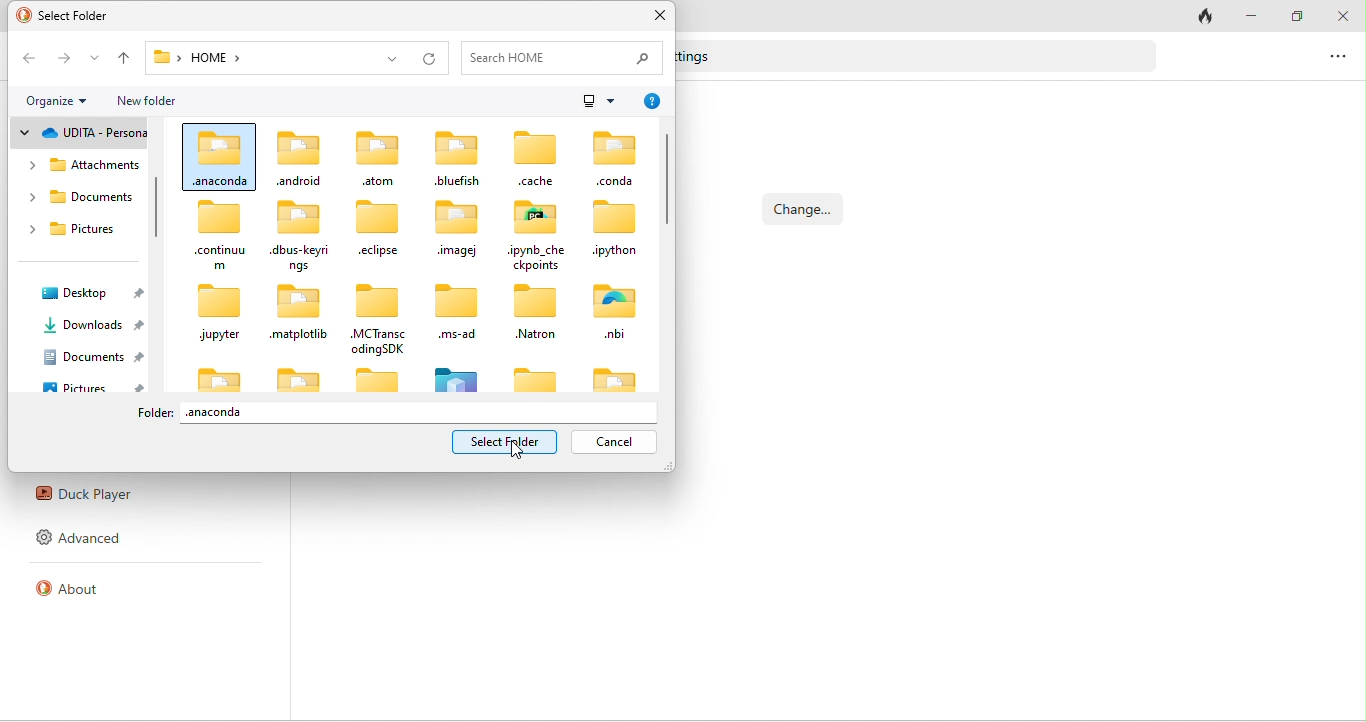 This screenshot has height=722, width=1366. What do you see at coordinates (457, 160) in the screenshot?
I see `.bluefish` at bounding box center [457, 160].